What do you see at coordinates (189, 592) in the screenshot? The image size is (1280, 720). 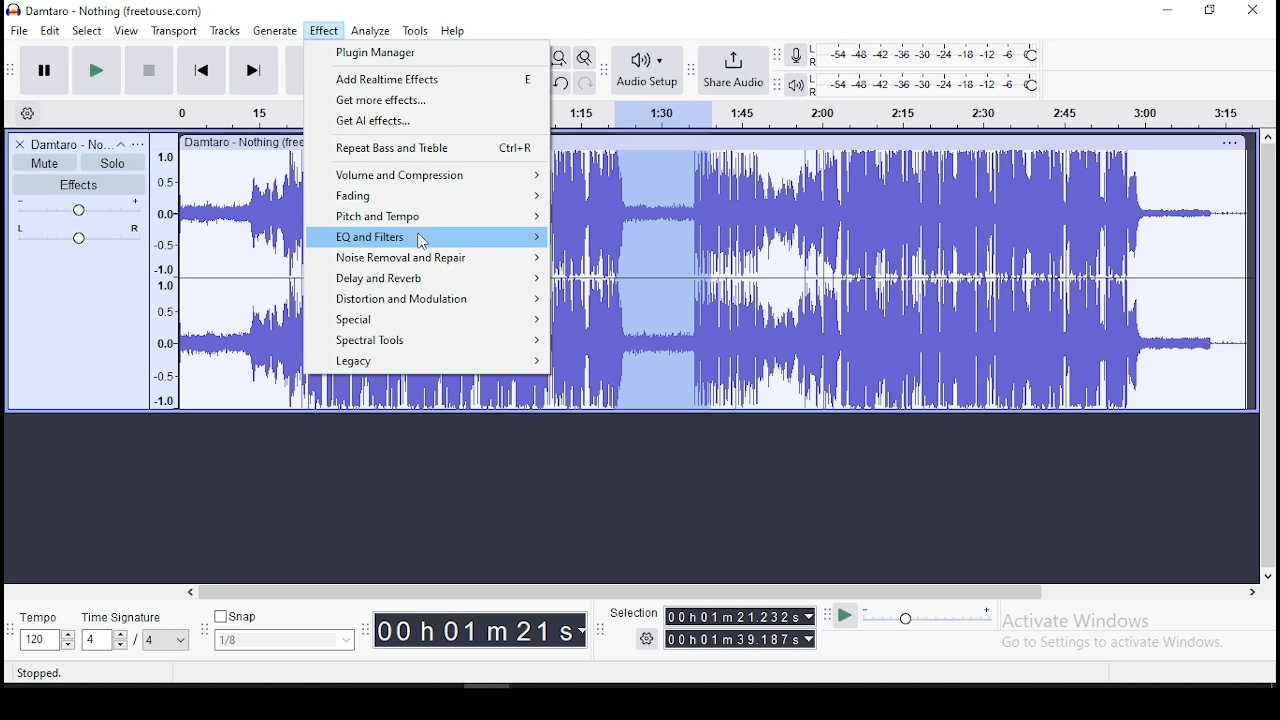 I see `left` at bounding box center [189, 592].